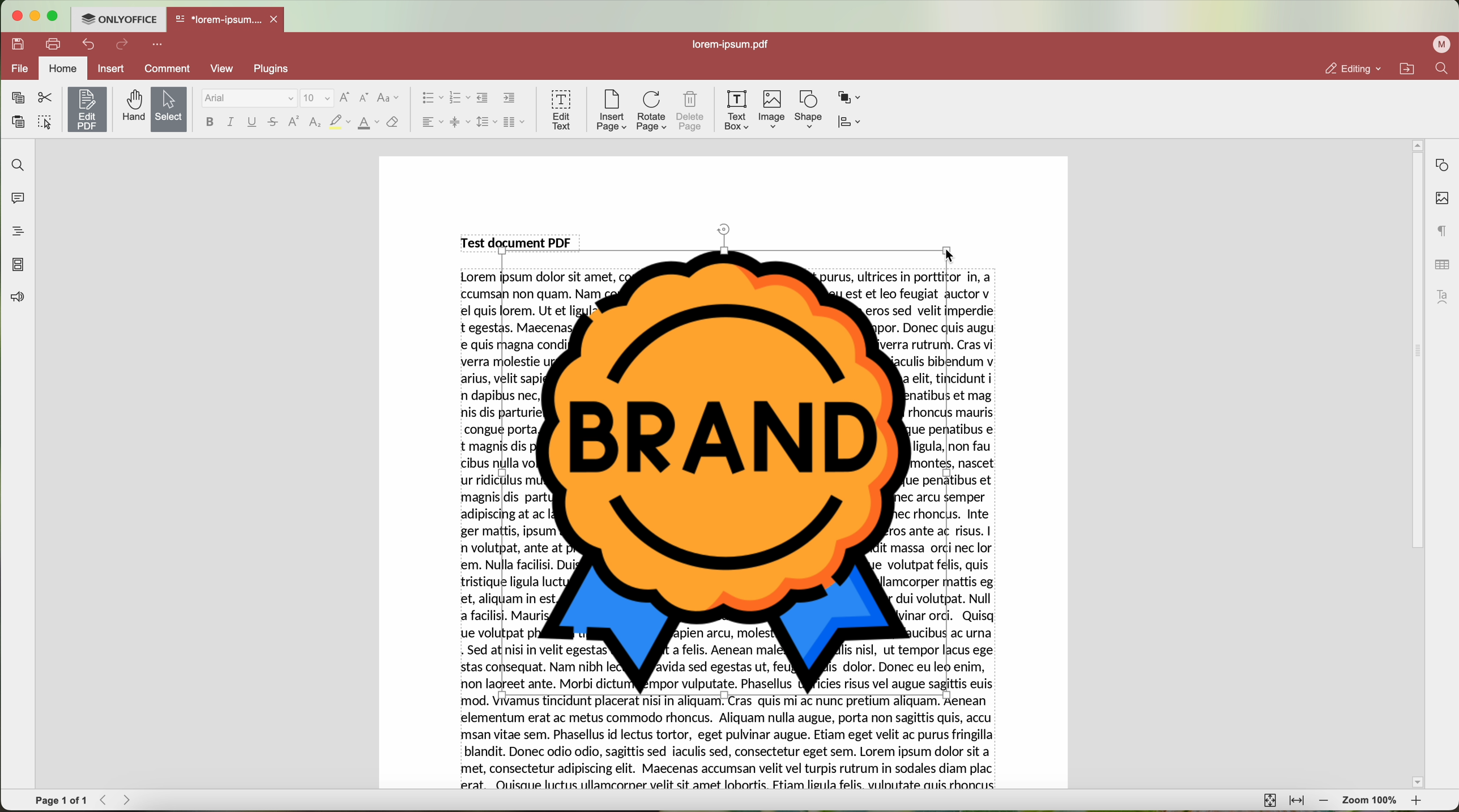 The image size is (1459, 812). Describe the element at coordinates (1410, 69) in the screenshot. I see `open file location` at that location.